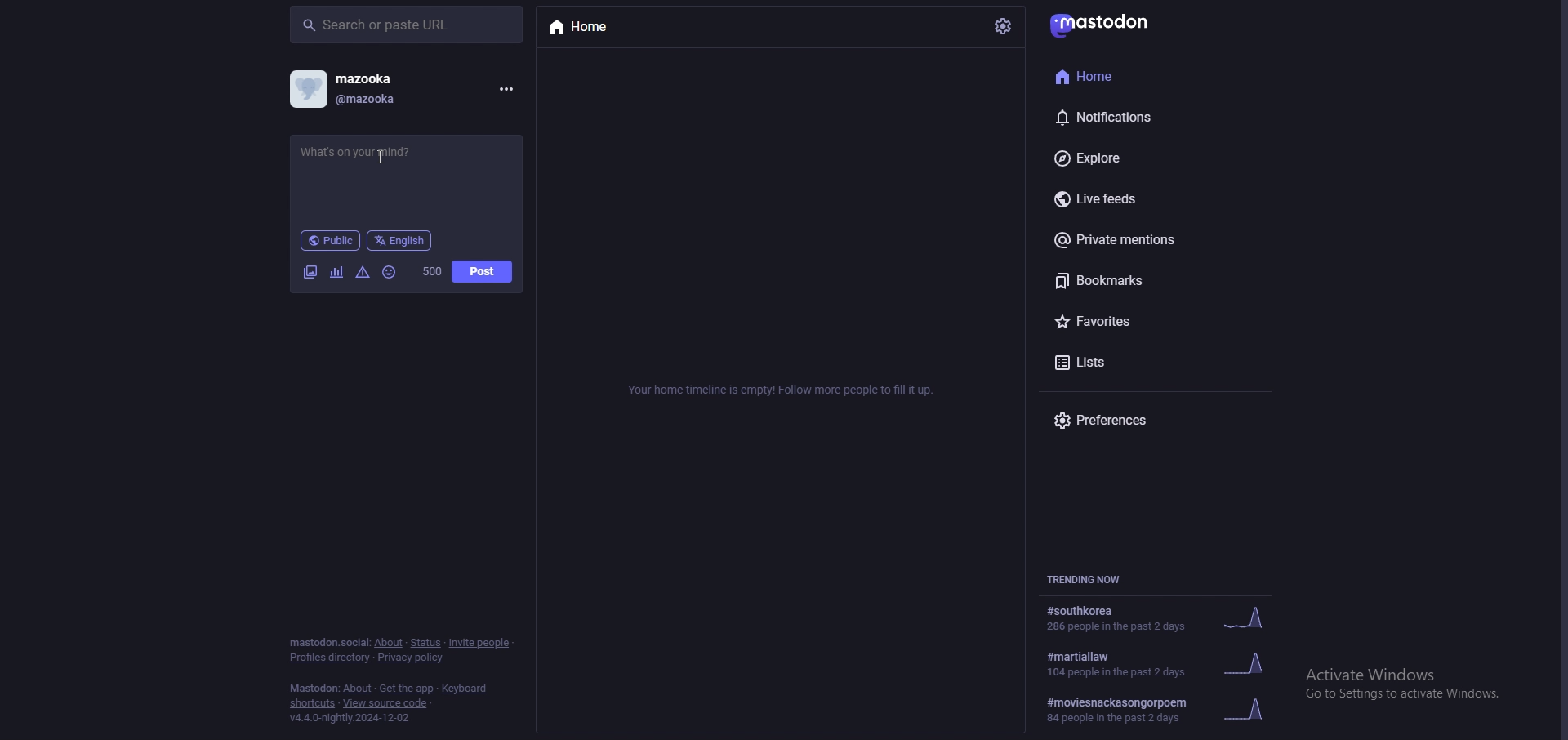  Describe the element at coordinates (400, 241) in the screenshot. I see `language` at that location.